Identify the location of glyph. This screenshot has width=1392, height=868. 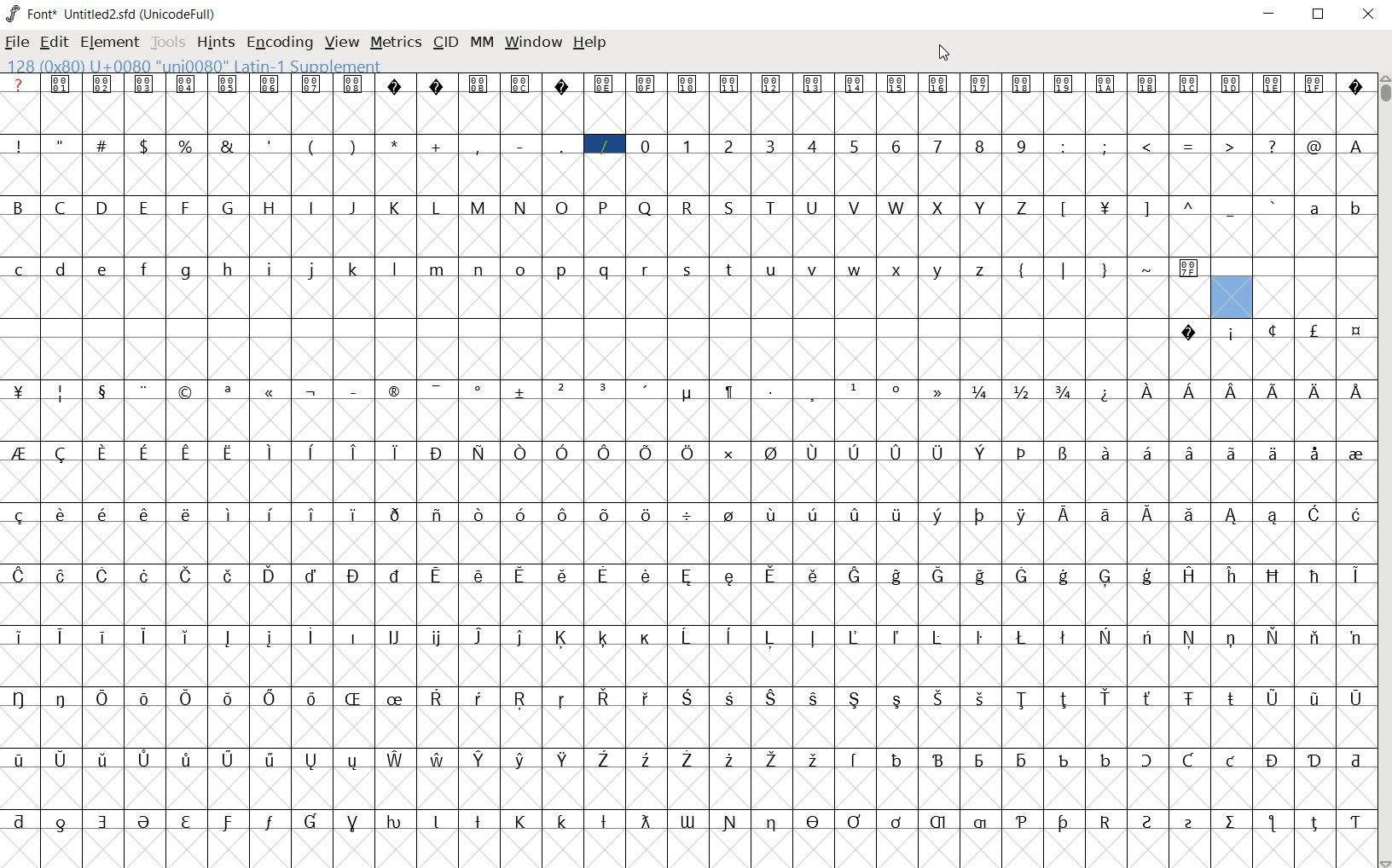
(19, 391).